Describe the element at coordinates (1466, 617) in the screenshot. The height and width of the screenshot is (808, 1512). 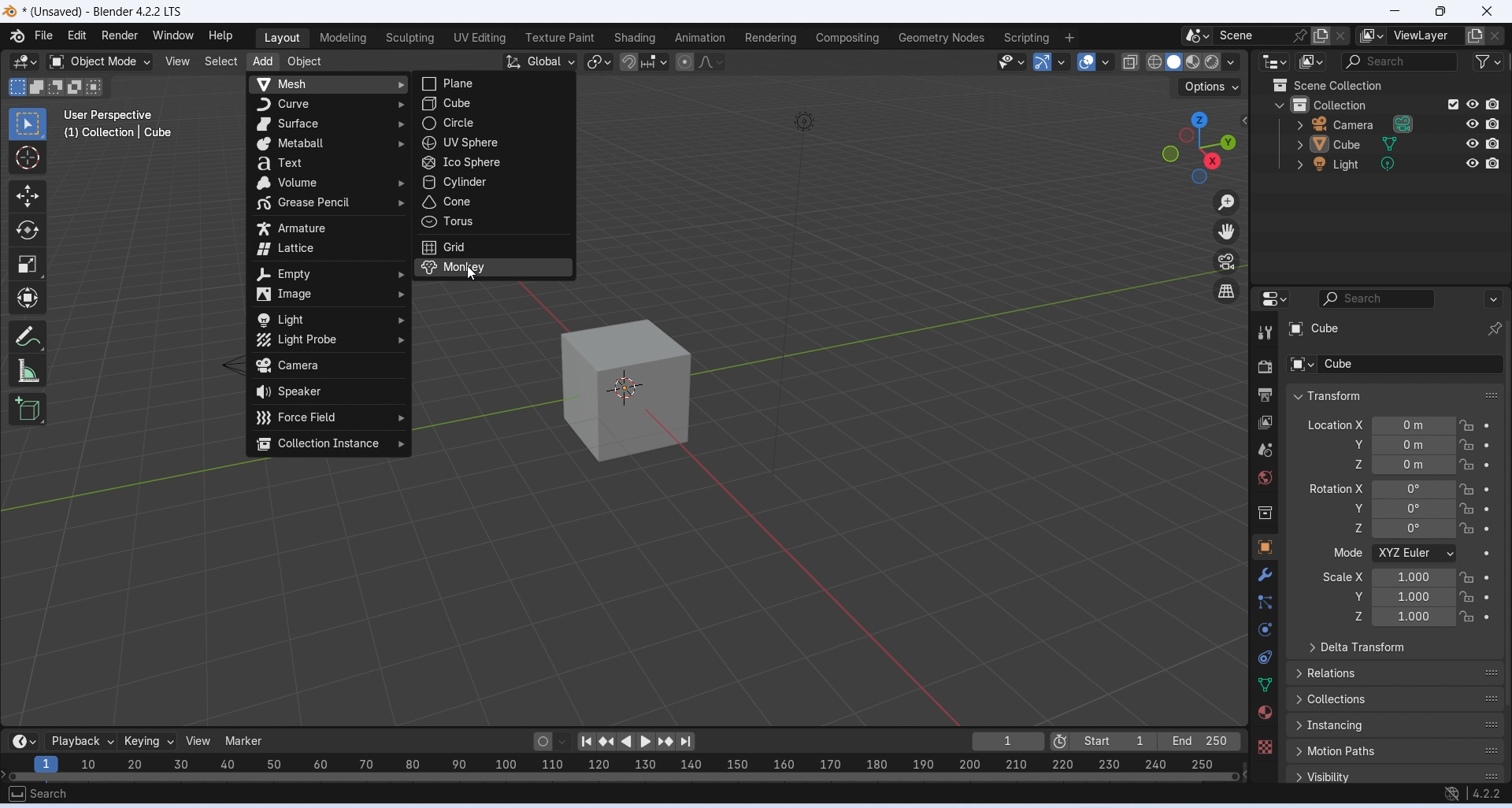
I see `lock location` at that location.